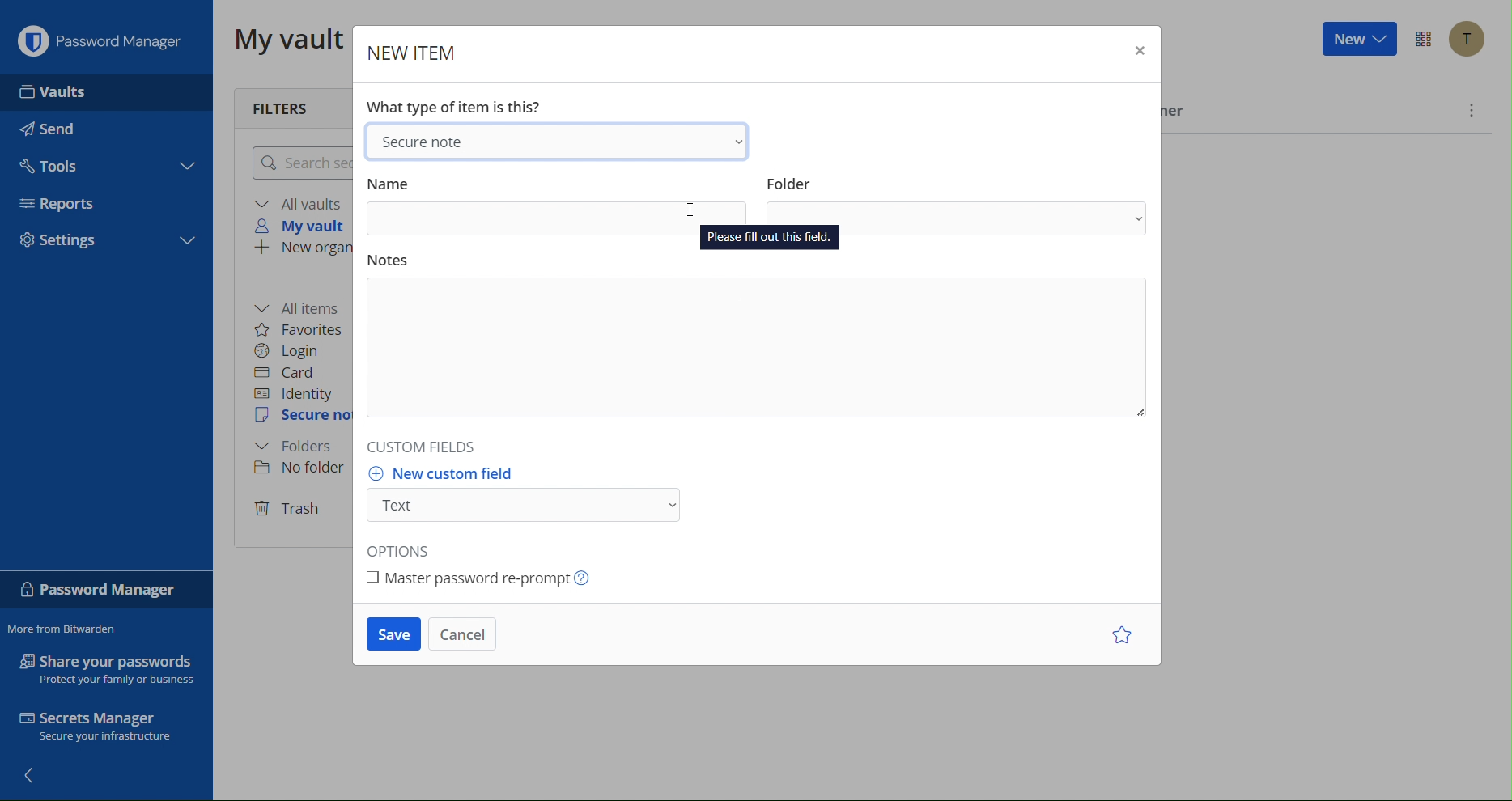  What do you see at coordinates (55, 91) in the screenshot?
I see `Vaults` at bounding box center [55, 91].